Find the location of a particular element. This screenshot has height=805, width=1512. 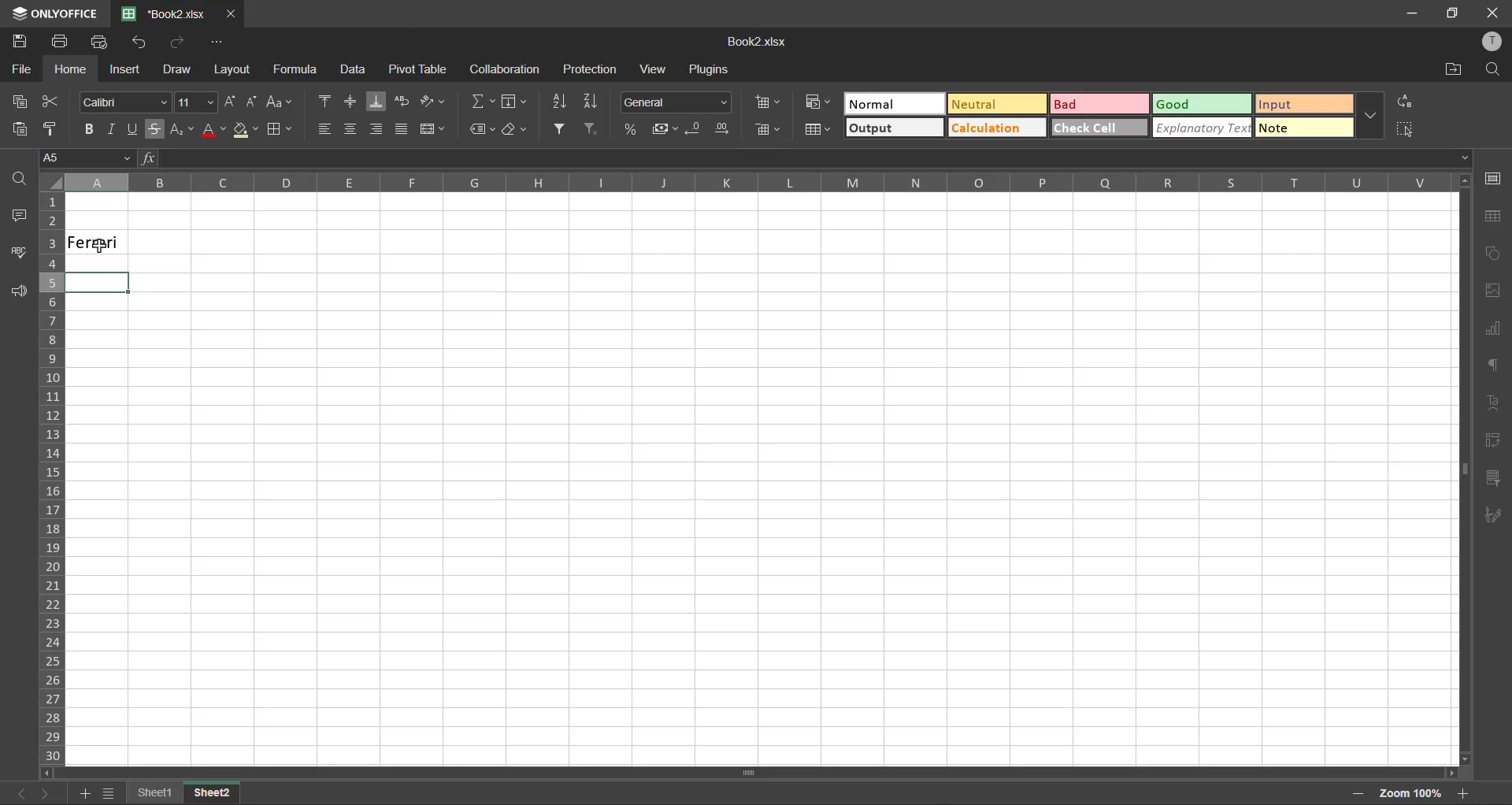

increment size is located at coordinates (232, 101).